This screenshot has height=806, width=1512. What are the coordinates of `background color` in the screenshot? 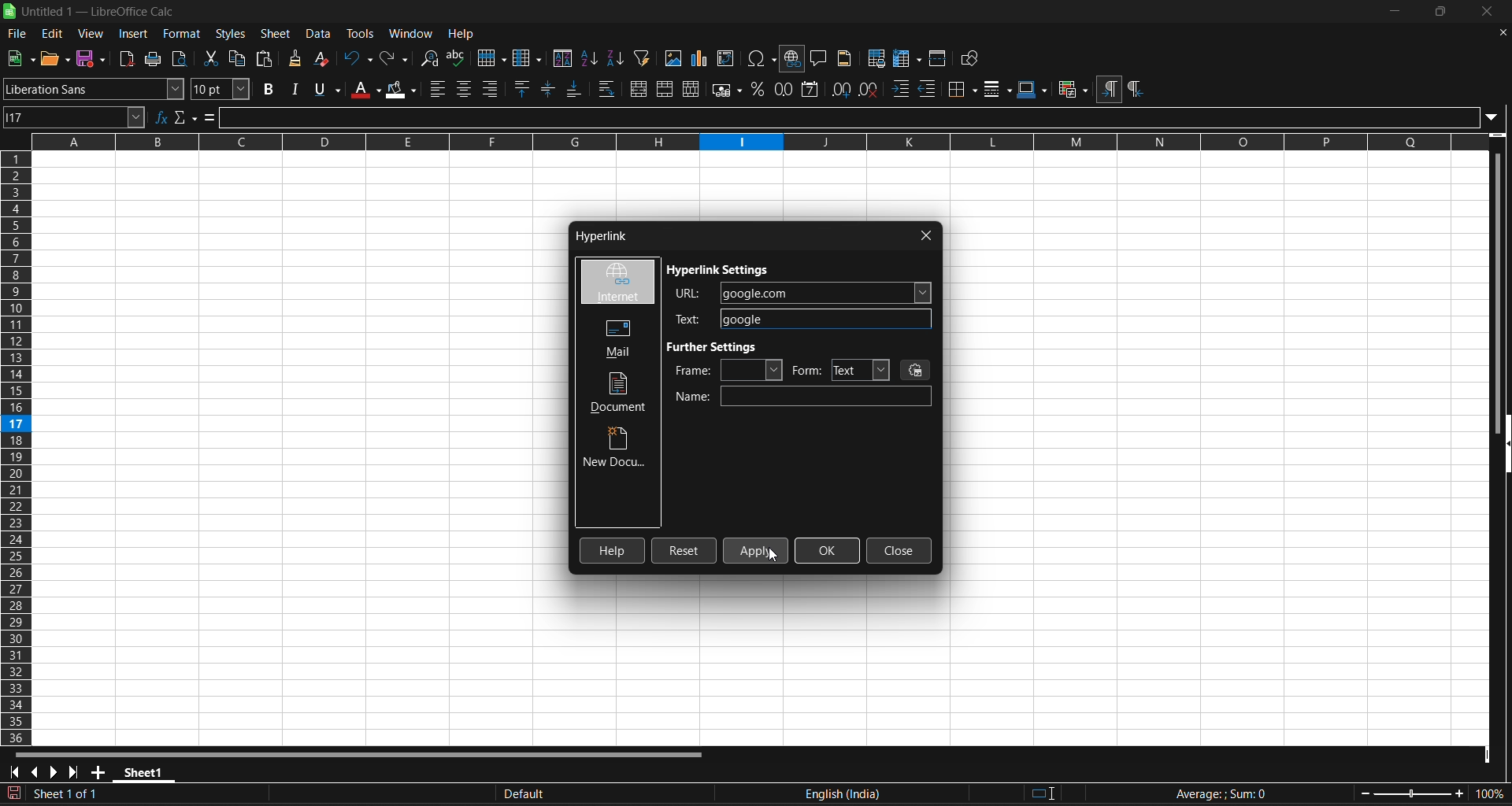 It's located at (402, 88).